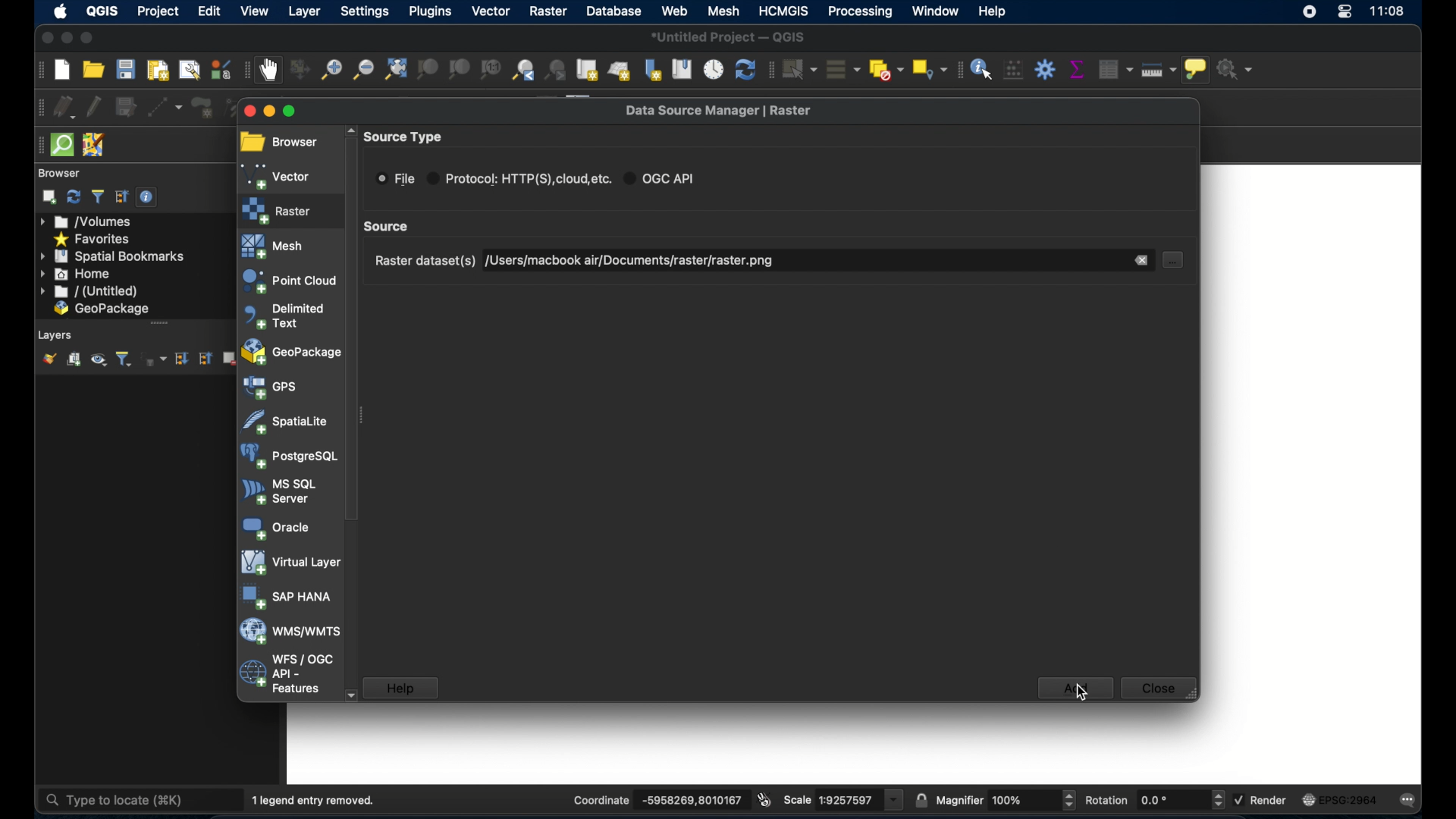  Describe the element at coordinates (93, 144) in the screenshot. I see `josh remote` at that location.